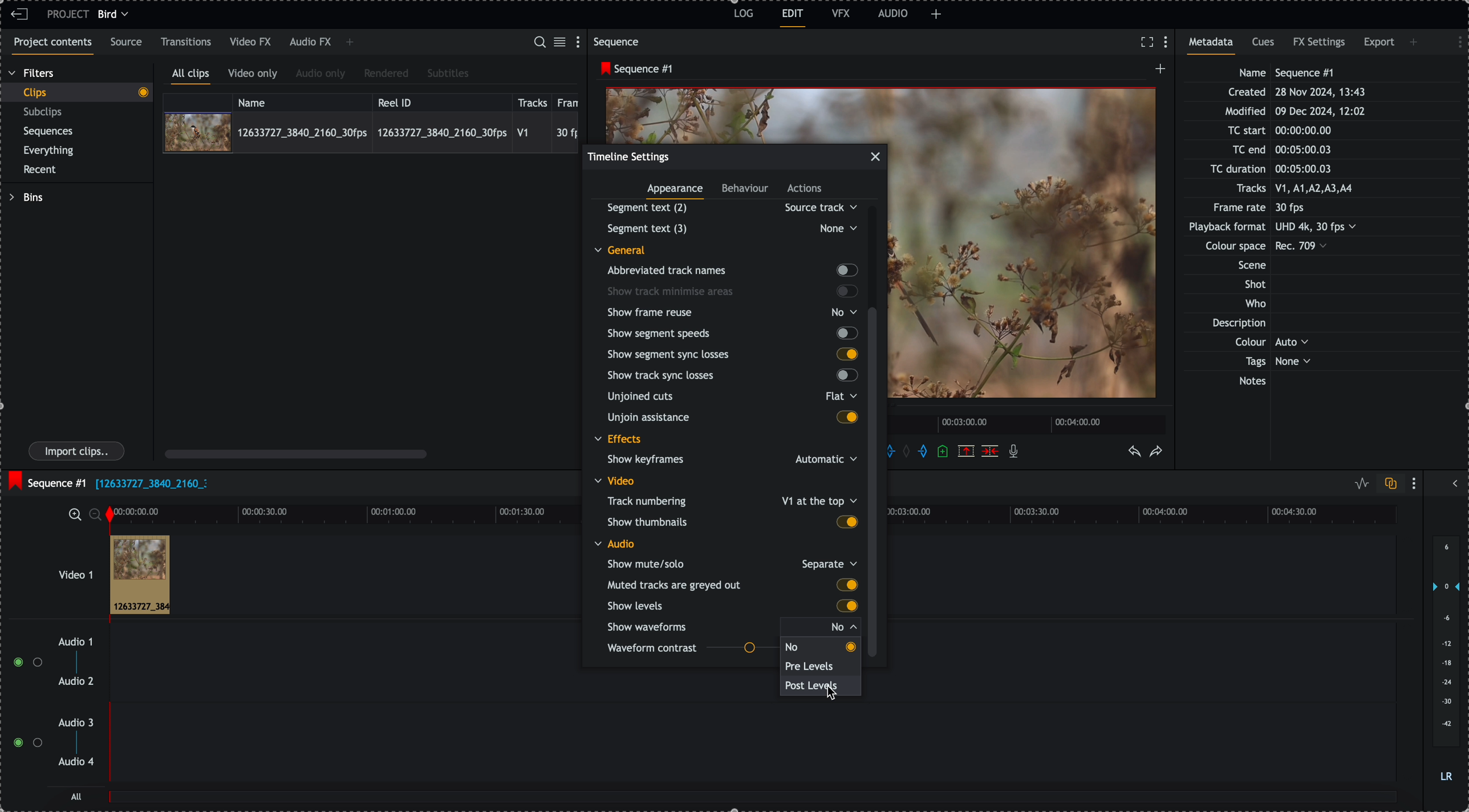 The width and height of the screenshot is (1469, 812). Describe the element at coordinates (910, 452) in the screenshot. I see `clear marks` at that location.